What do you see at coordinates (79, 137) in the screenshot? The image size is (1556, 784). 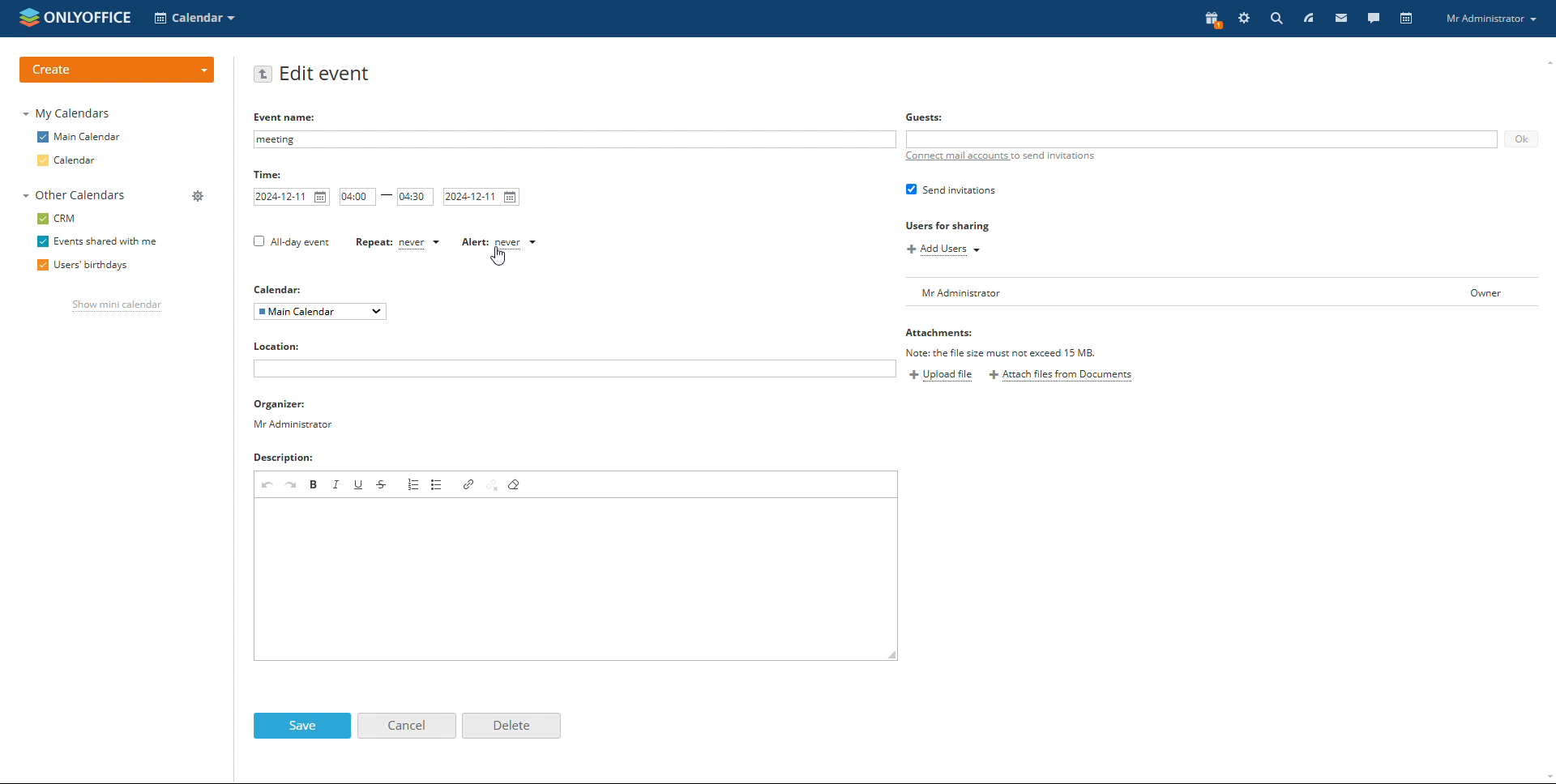 I see `main calendar` at bounding box center [79, 137].